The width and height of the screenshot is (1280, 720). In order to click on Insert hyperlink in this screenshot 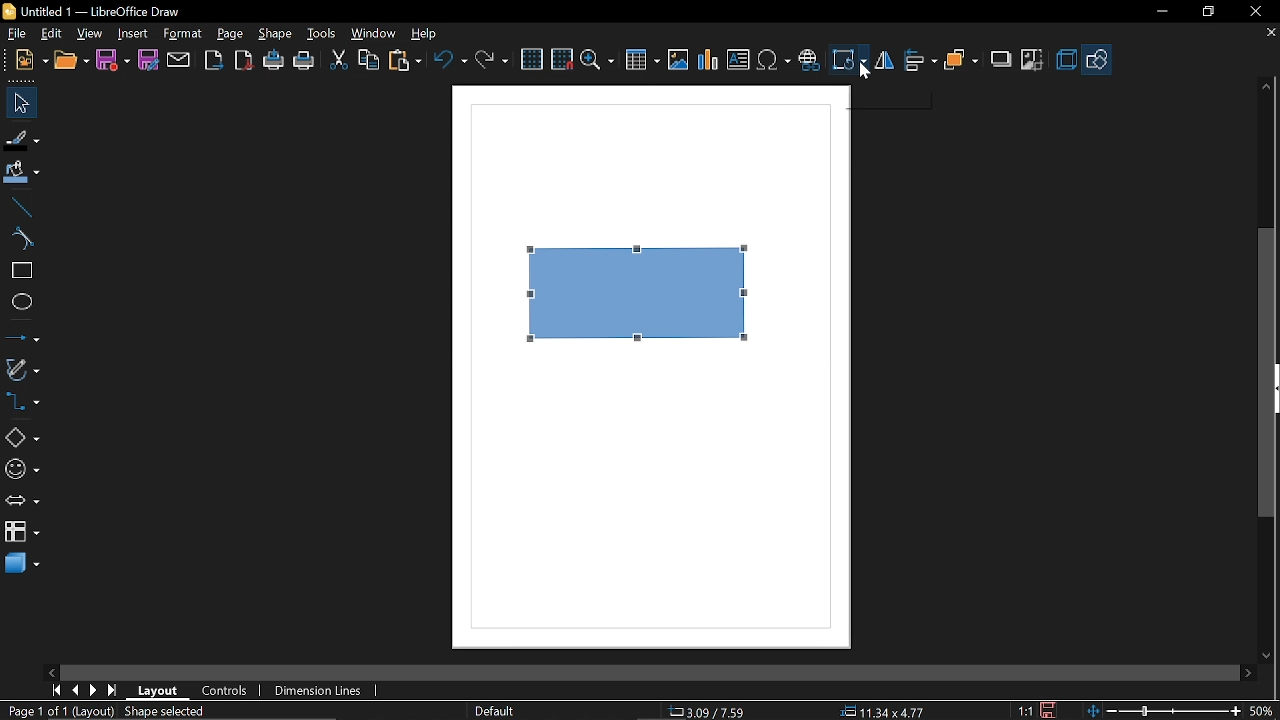, I will do `click(810, 58)`.